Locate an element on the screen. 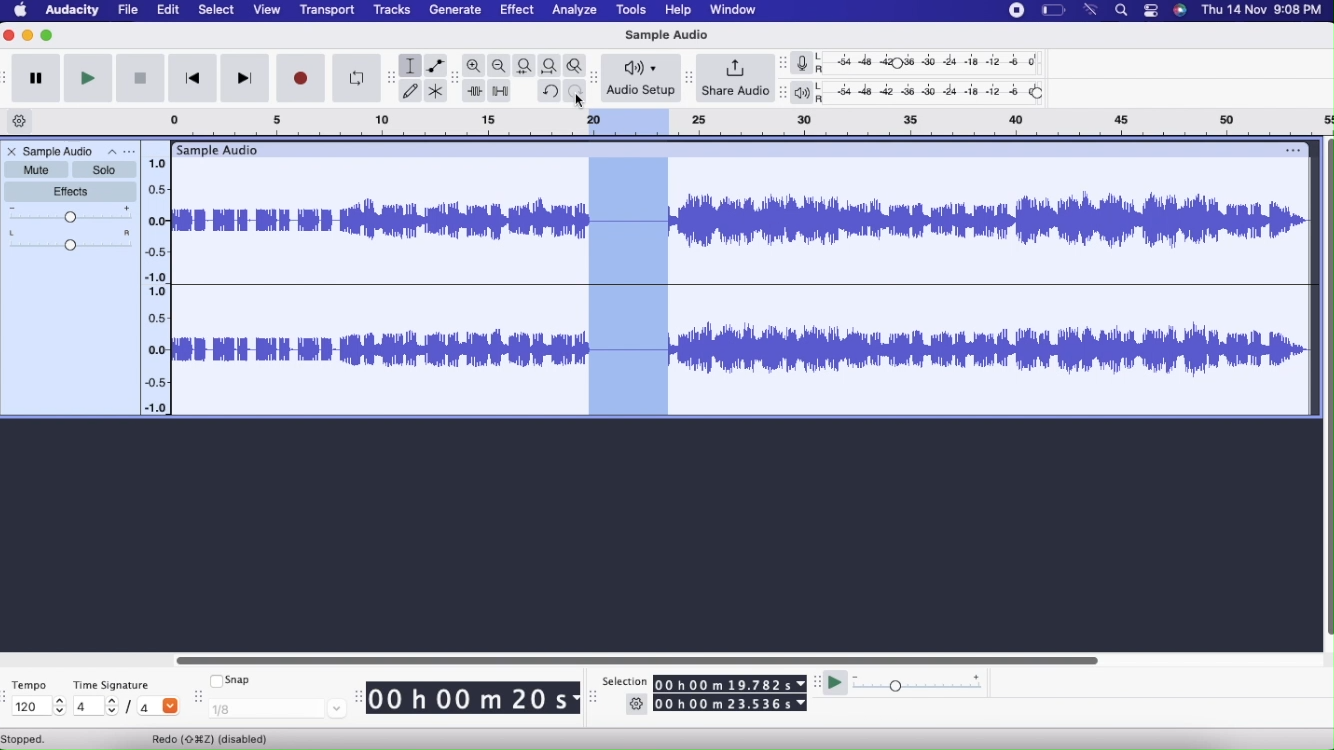  Selection is located at coordinates (621, 681).